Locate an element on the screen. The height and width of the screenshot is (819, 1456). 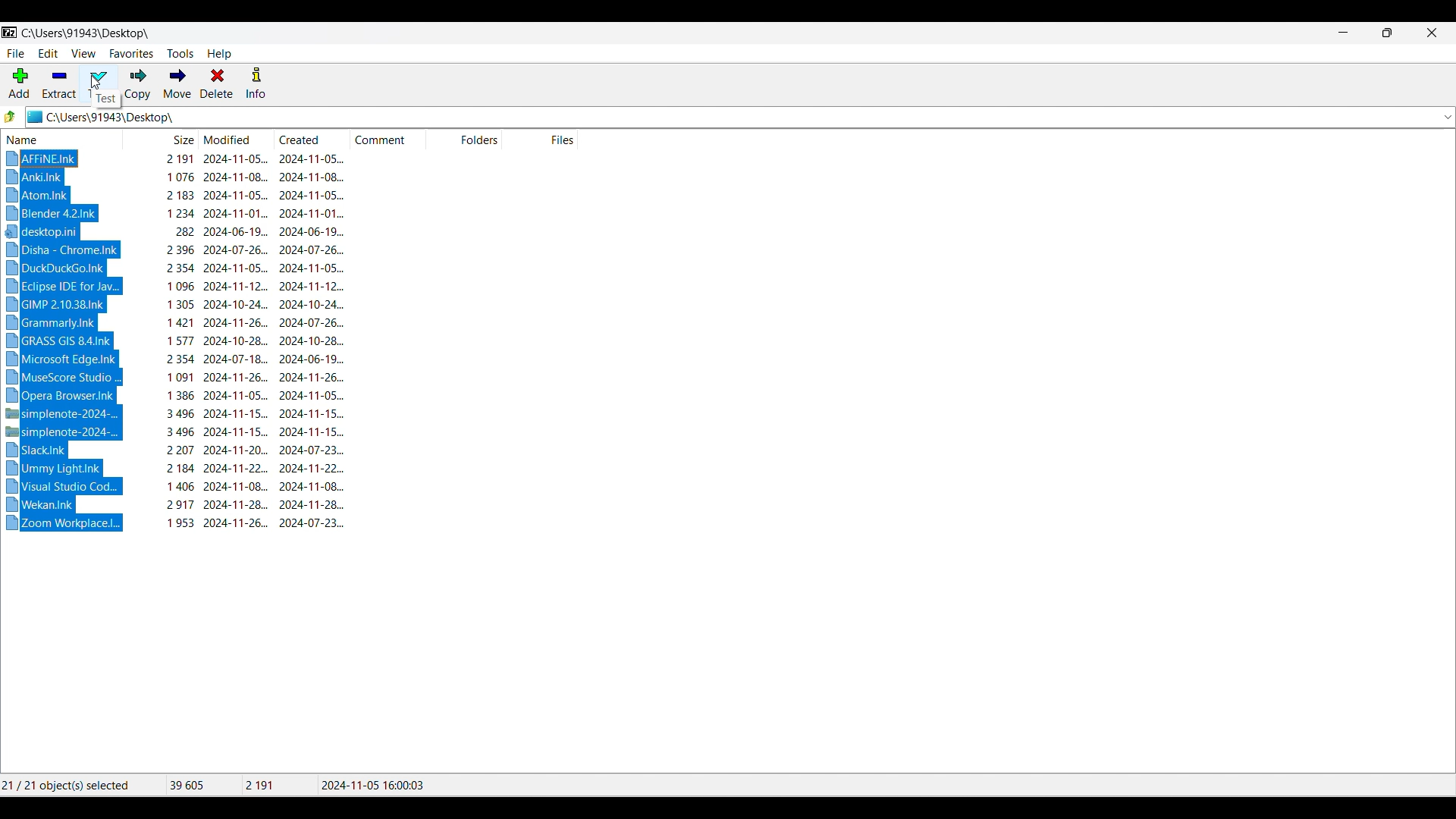
Help menu is located at coordinates (219, 55).